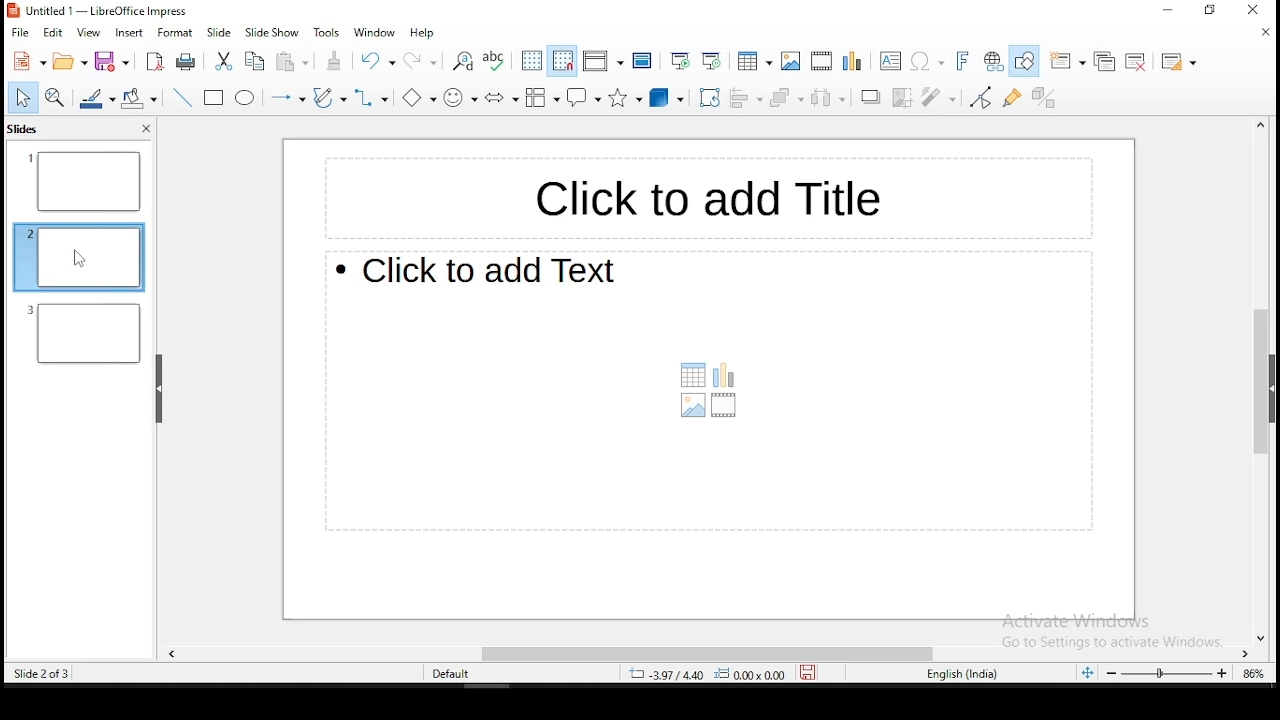  What do you see at coordinates (928, 61) in the screenshot?
I see `insert special characters` at bounding box center [928, 61].